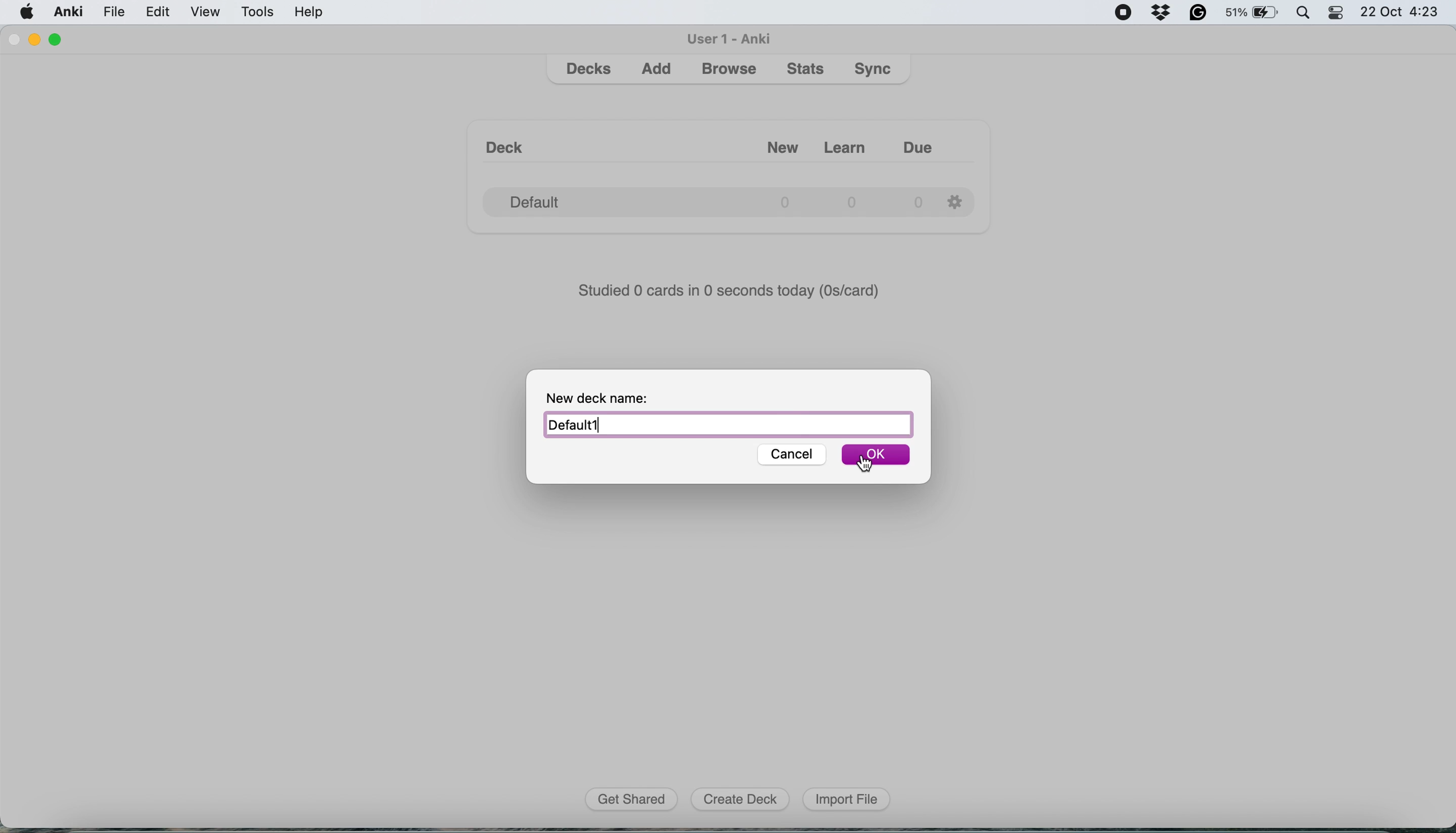 The height and width of the screenshot is (833, 1456). I want to click on tools, so click(259, 14).